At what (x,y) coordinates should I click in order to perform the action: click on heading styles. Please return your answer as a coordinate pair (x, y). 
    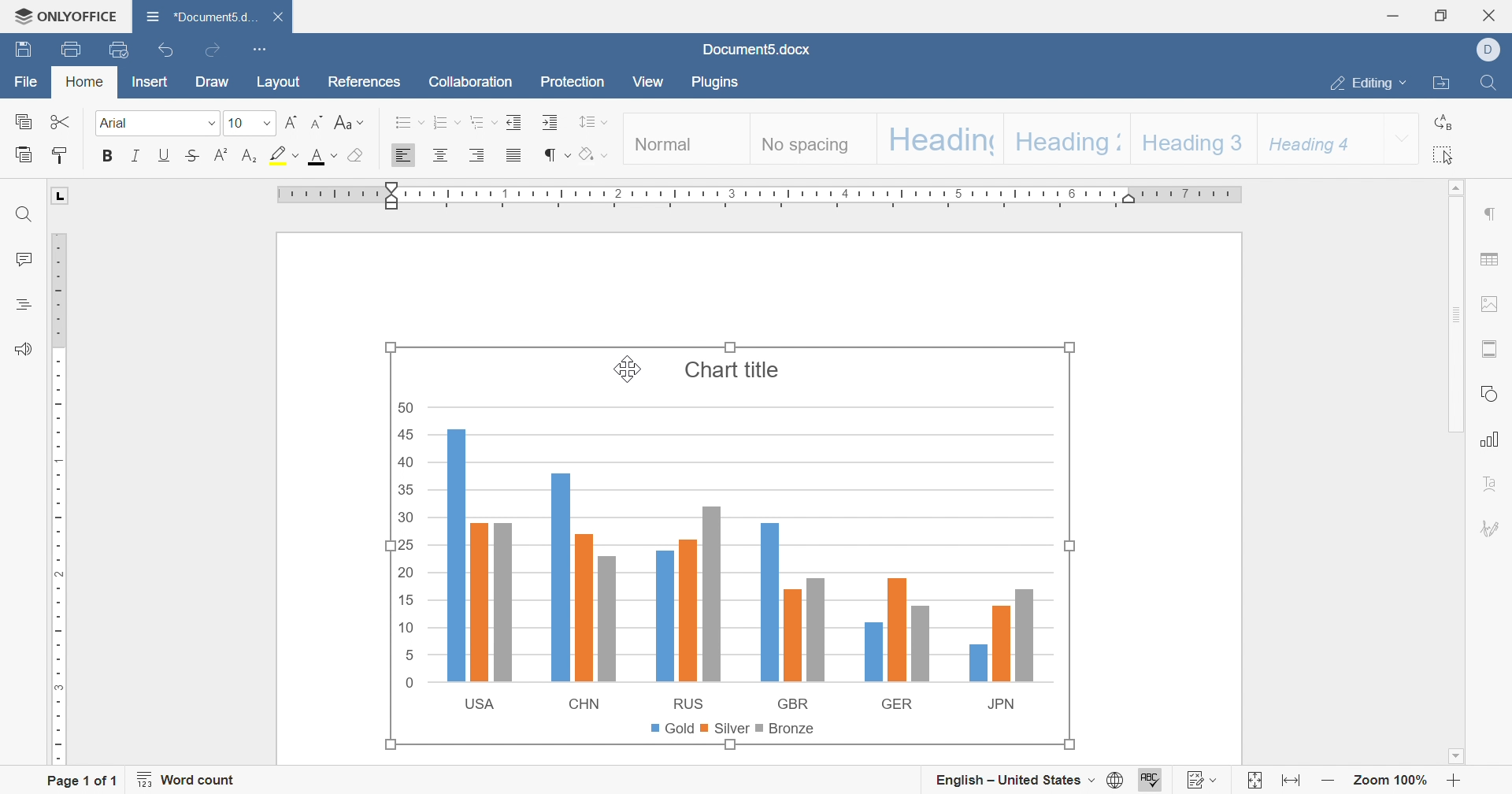
    Looking at the image, I should click on (1001, 138).